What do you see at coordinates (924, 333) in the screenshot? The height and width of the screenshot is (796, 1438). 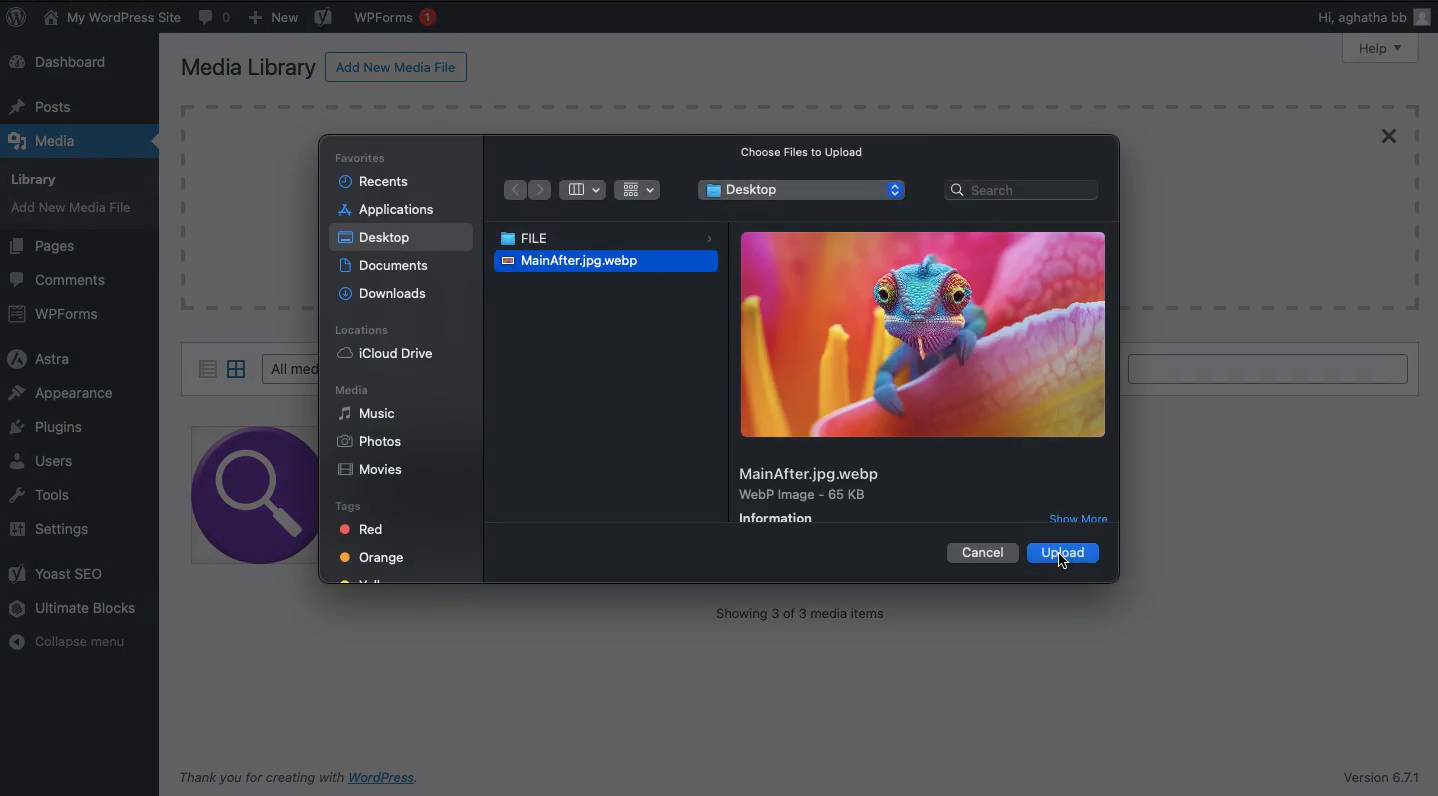 I see `Image` at bounding box center [924, 333].